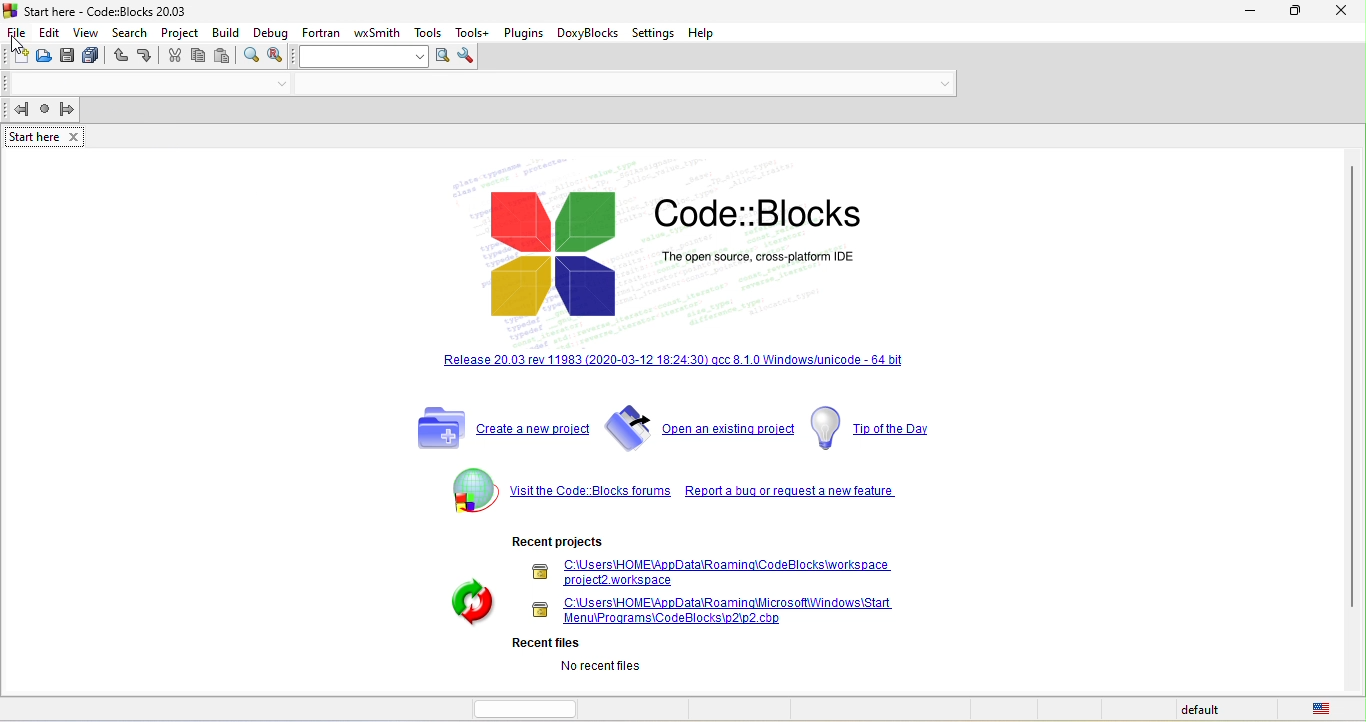 The height and width of the screenshot is (722, 1366). I want to click on wxsmith, so click(379, 30).